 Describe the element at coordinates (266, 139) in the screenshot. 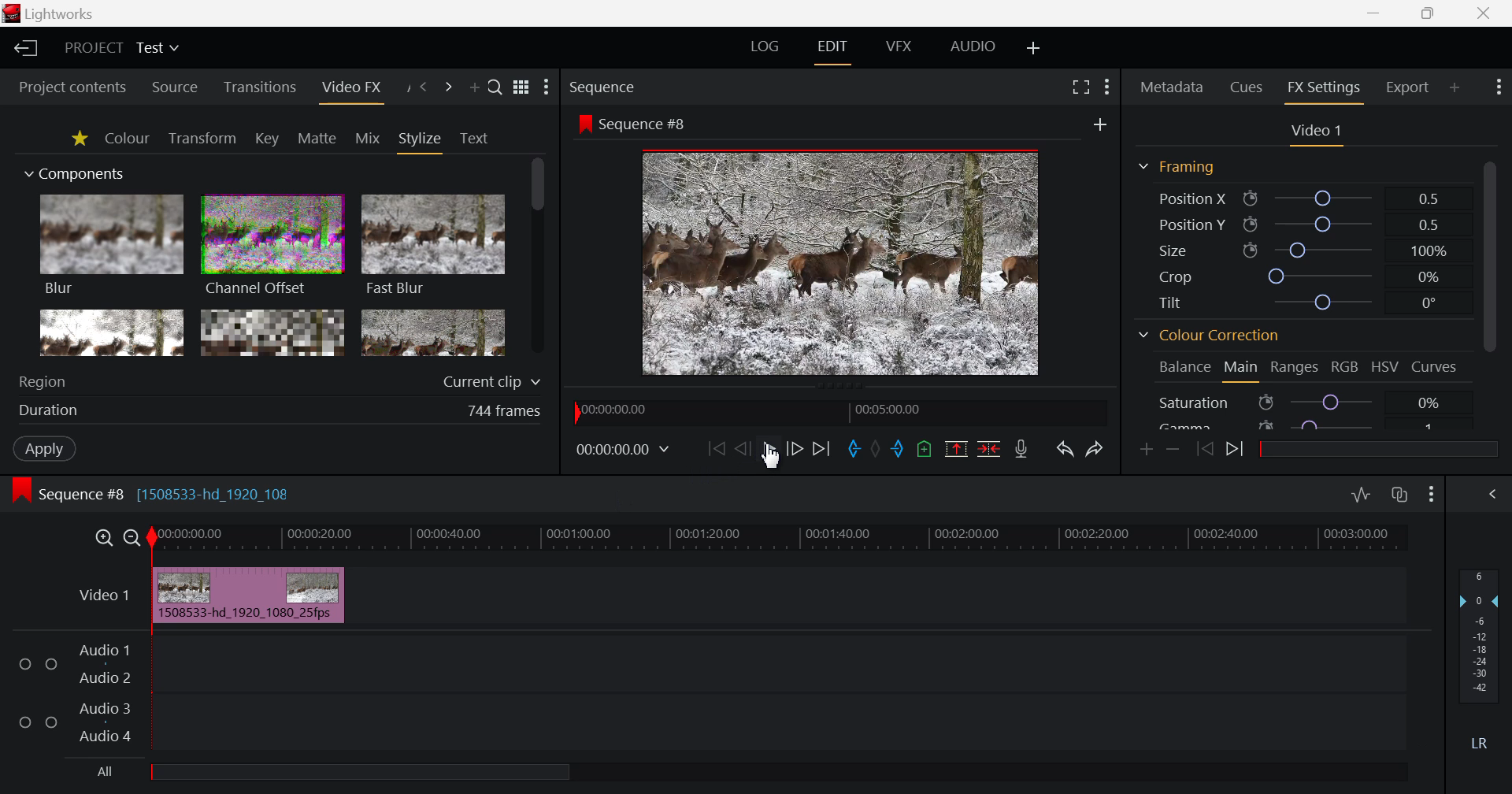

I see `Key` at that location.